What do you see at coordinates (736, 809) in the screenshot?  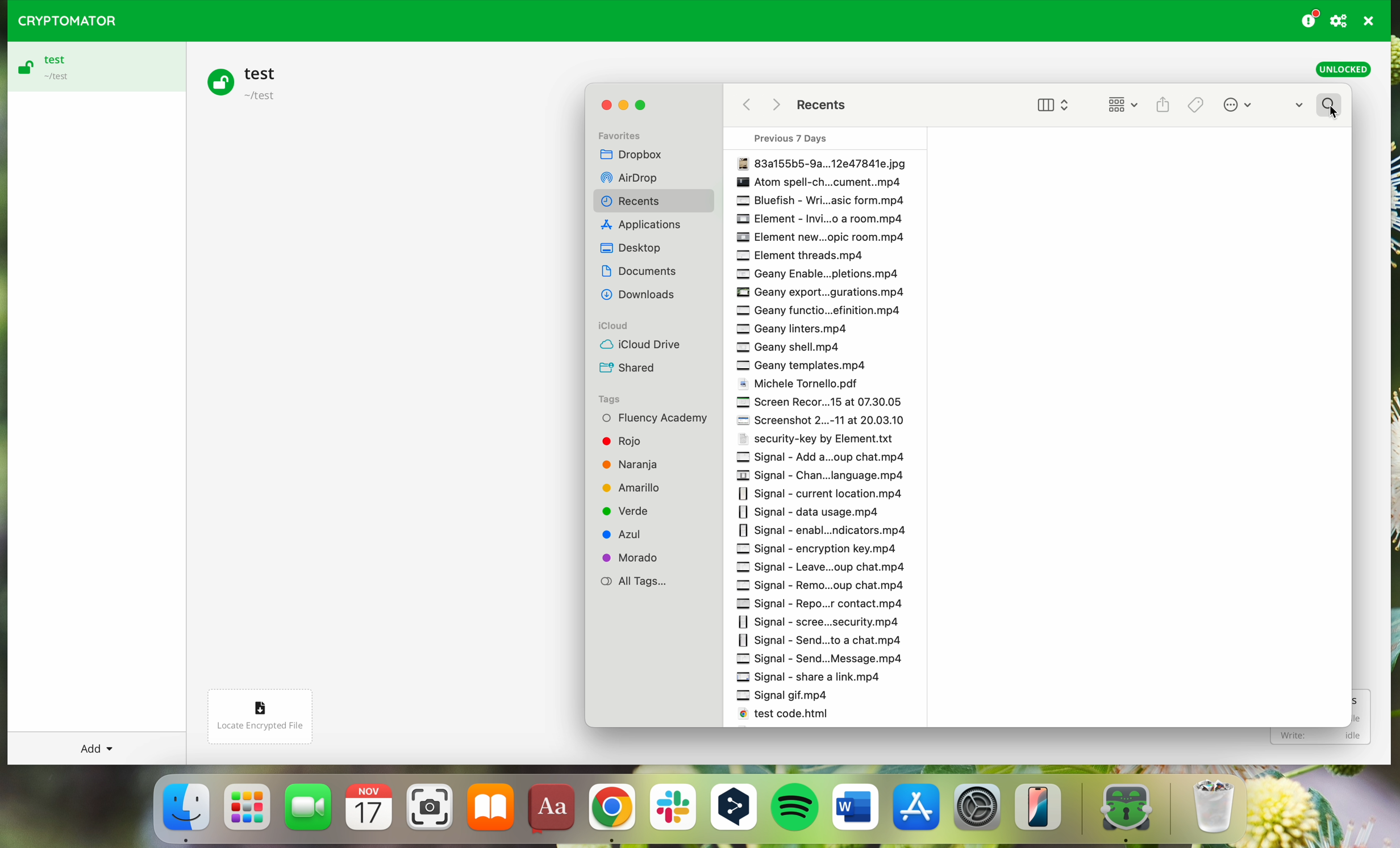 I see `DeepL` at bounding box center [736, 809].